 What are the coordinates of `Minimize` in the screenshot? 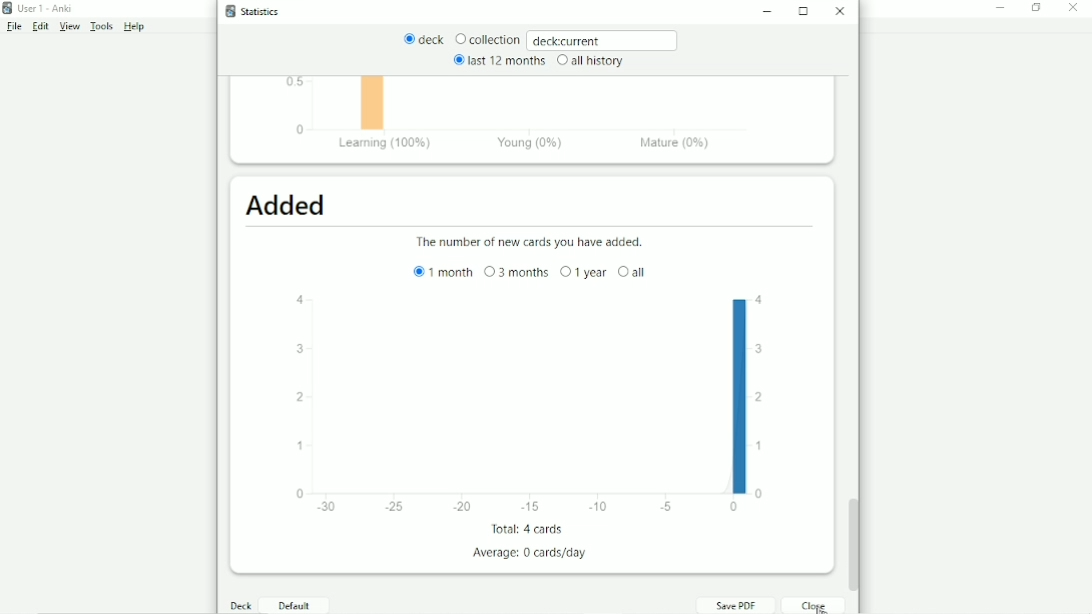 It's located at (771, 13).